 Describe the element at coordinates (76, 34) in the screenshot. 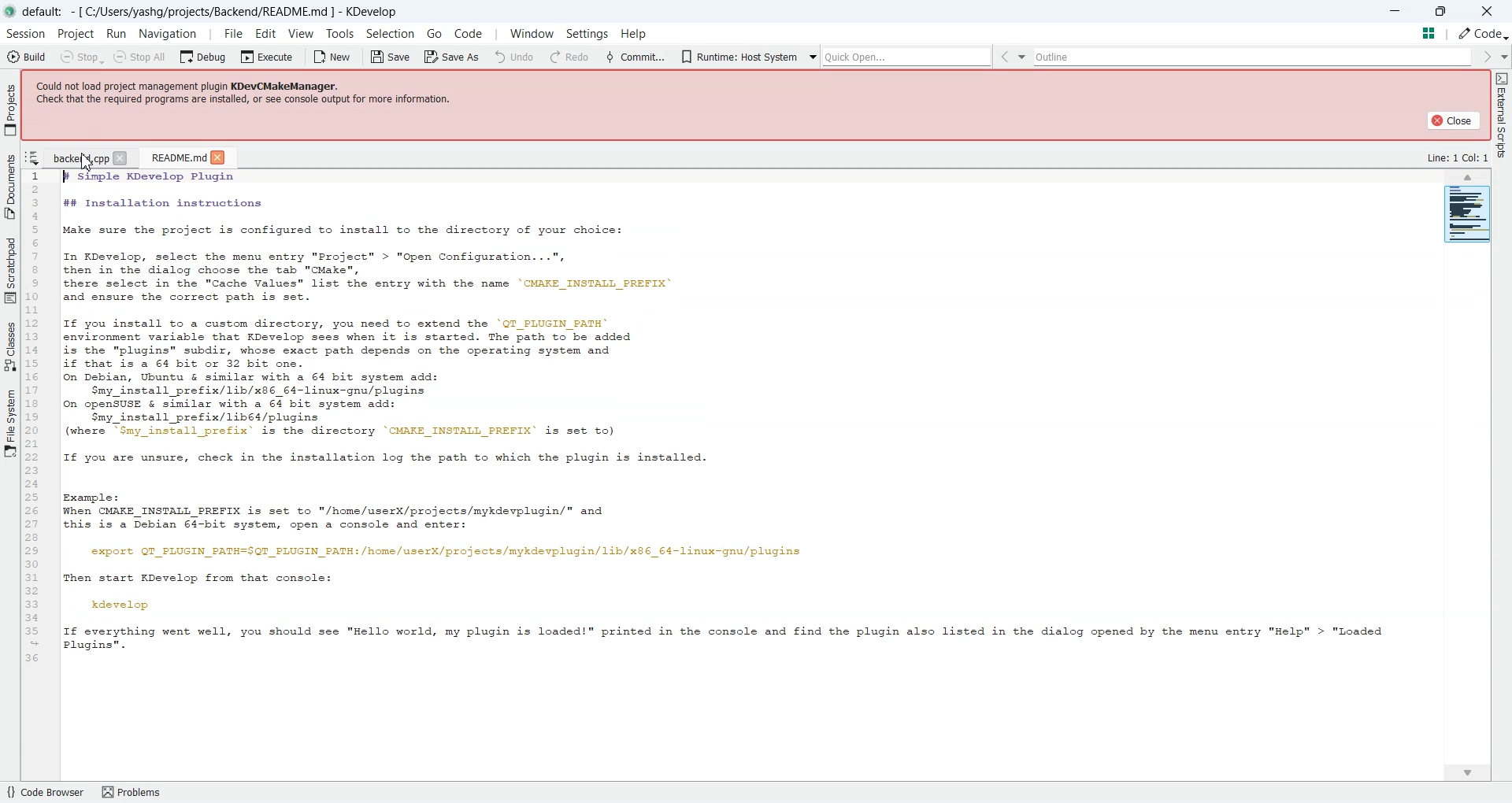

I see `Project` at that location.